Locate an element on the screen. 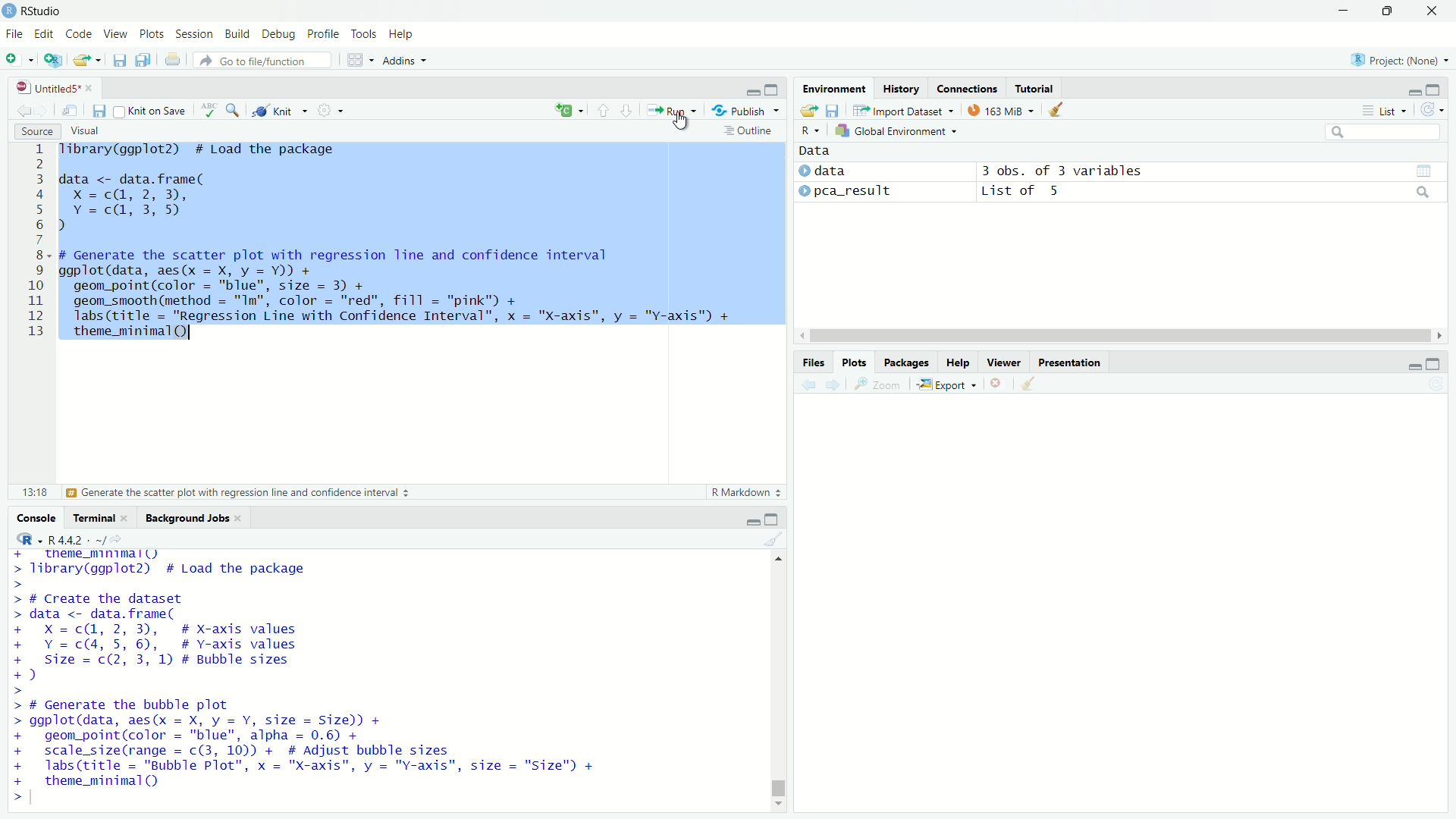 The width and height of the screenshot is (1456, 819). Session is located at coordinates (193, 34).